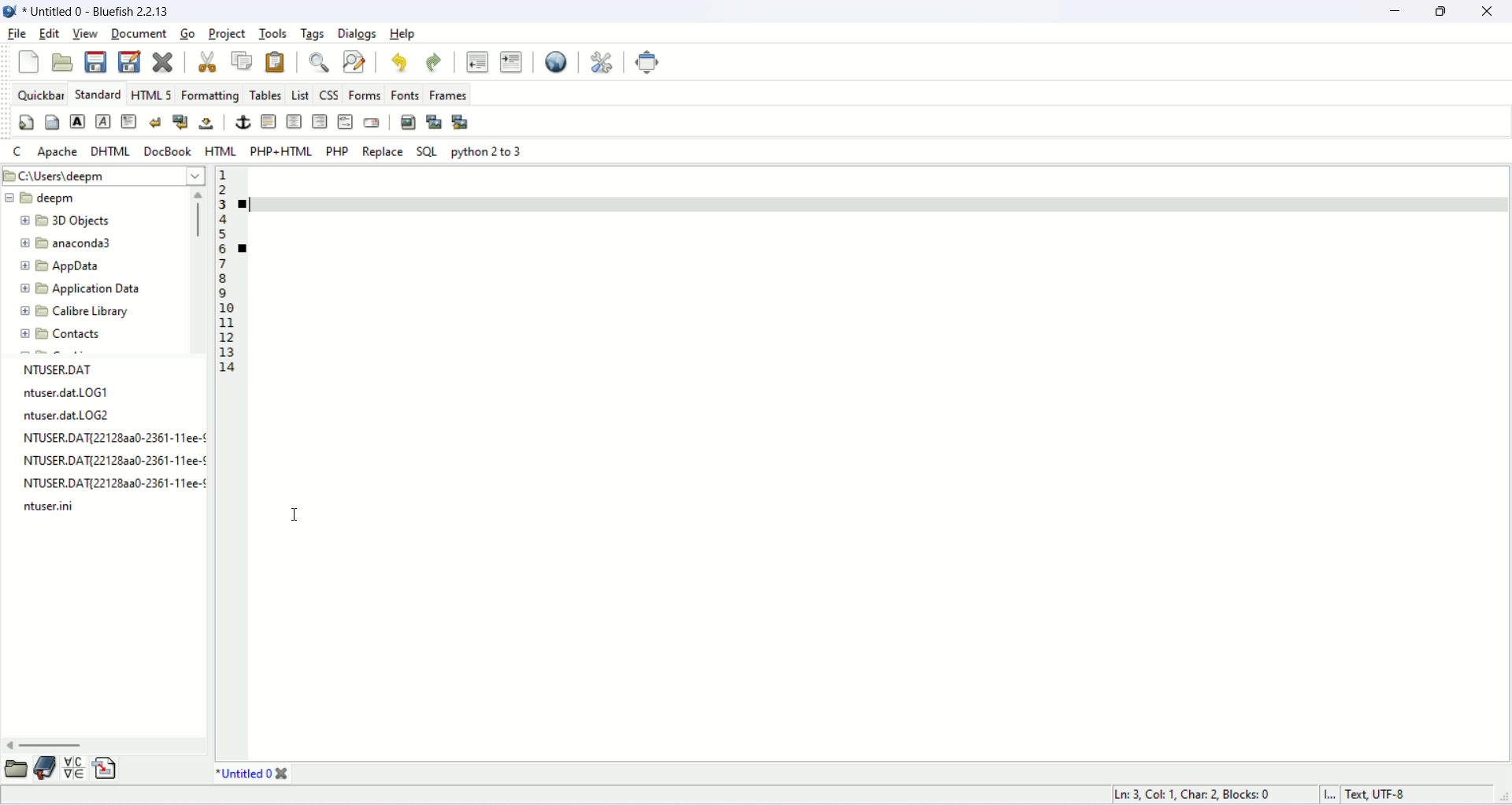 This screenshot has height=805, width=1512. Describe the element at coordinates (355, 61) in the screenshot. I see `find and replace` at that location.